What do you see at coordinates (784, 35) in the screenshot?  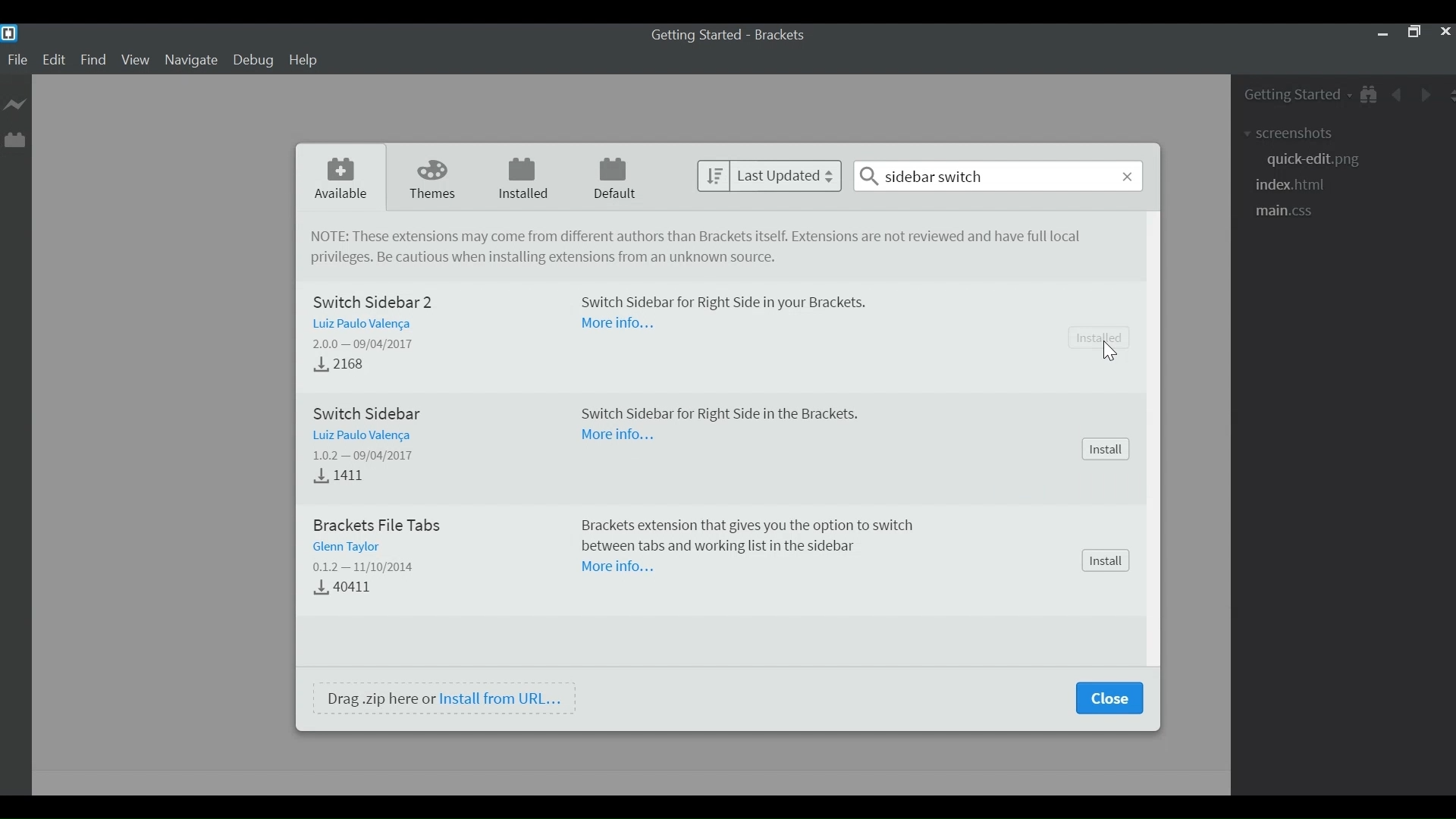 I see `Brackets` at bounding box center [784, 35].